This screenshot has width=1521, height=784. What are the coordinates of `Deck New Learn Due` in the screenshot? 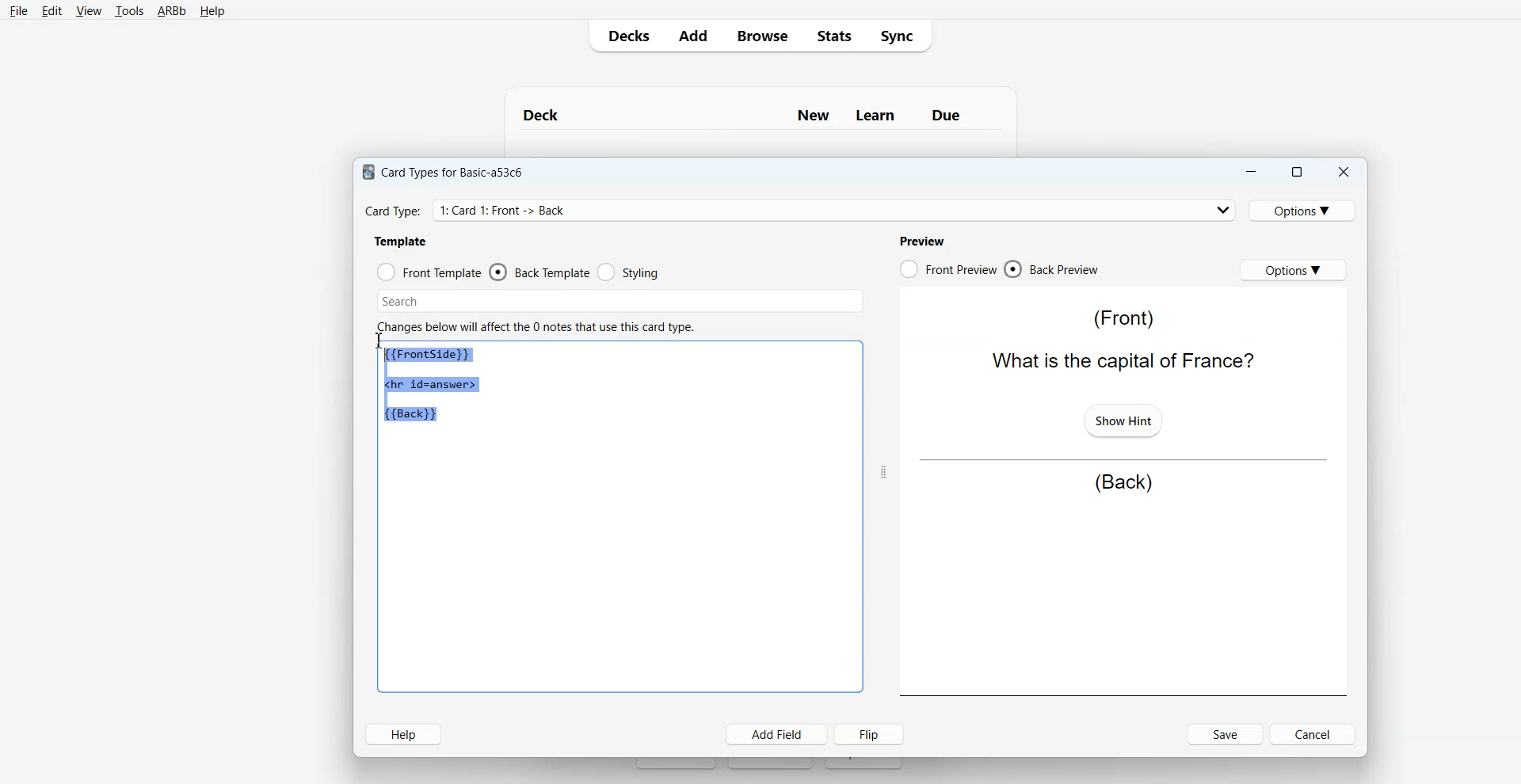 It's located at (750, 115).